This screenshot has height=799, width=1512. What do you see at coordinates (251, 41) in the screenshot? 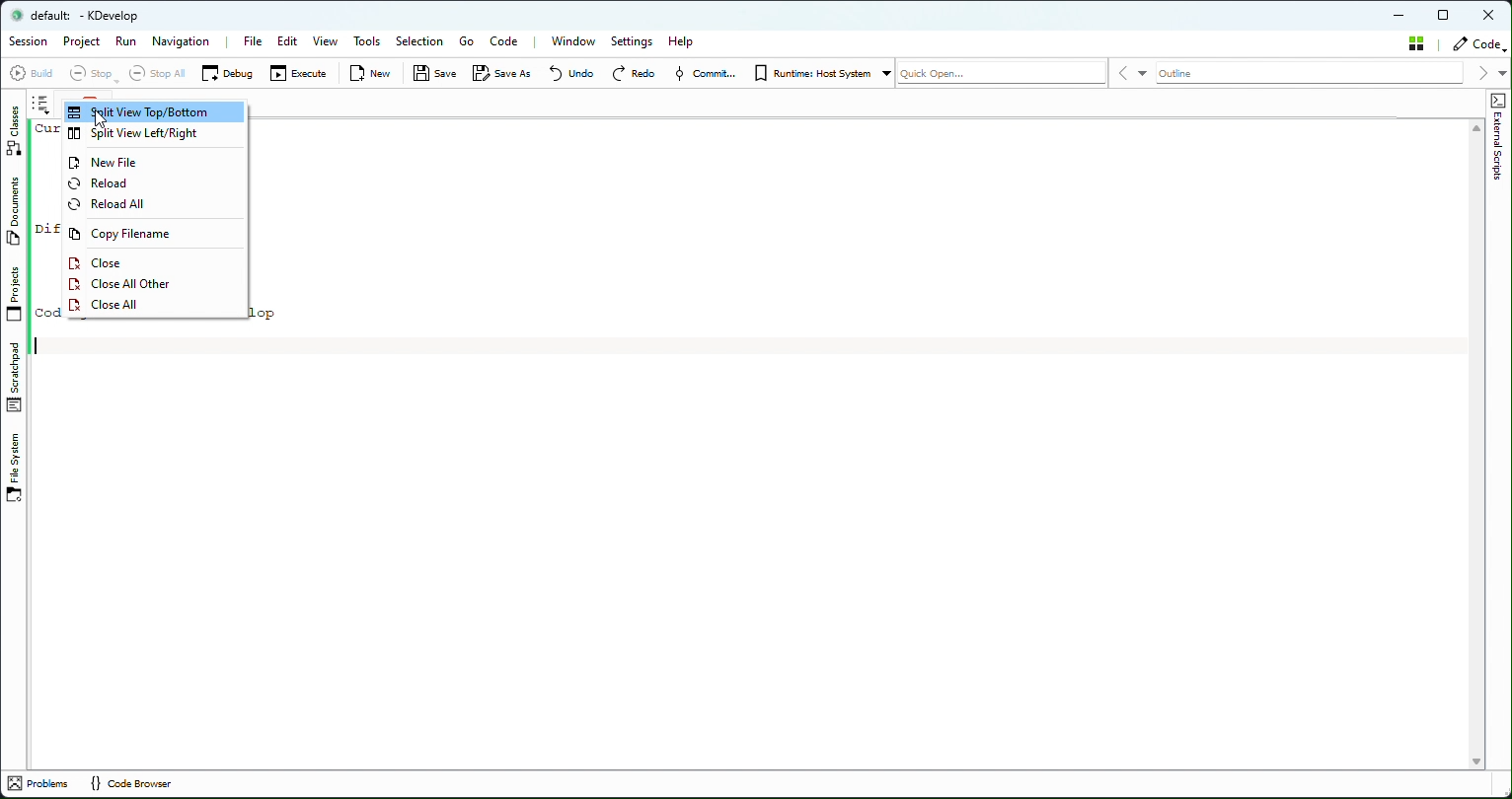
I see `File` at bounding box center [251, 41].